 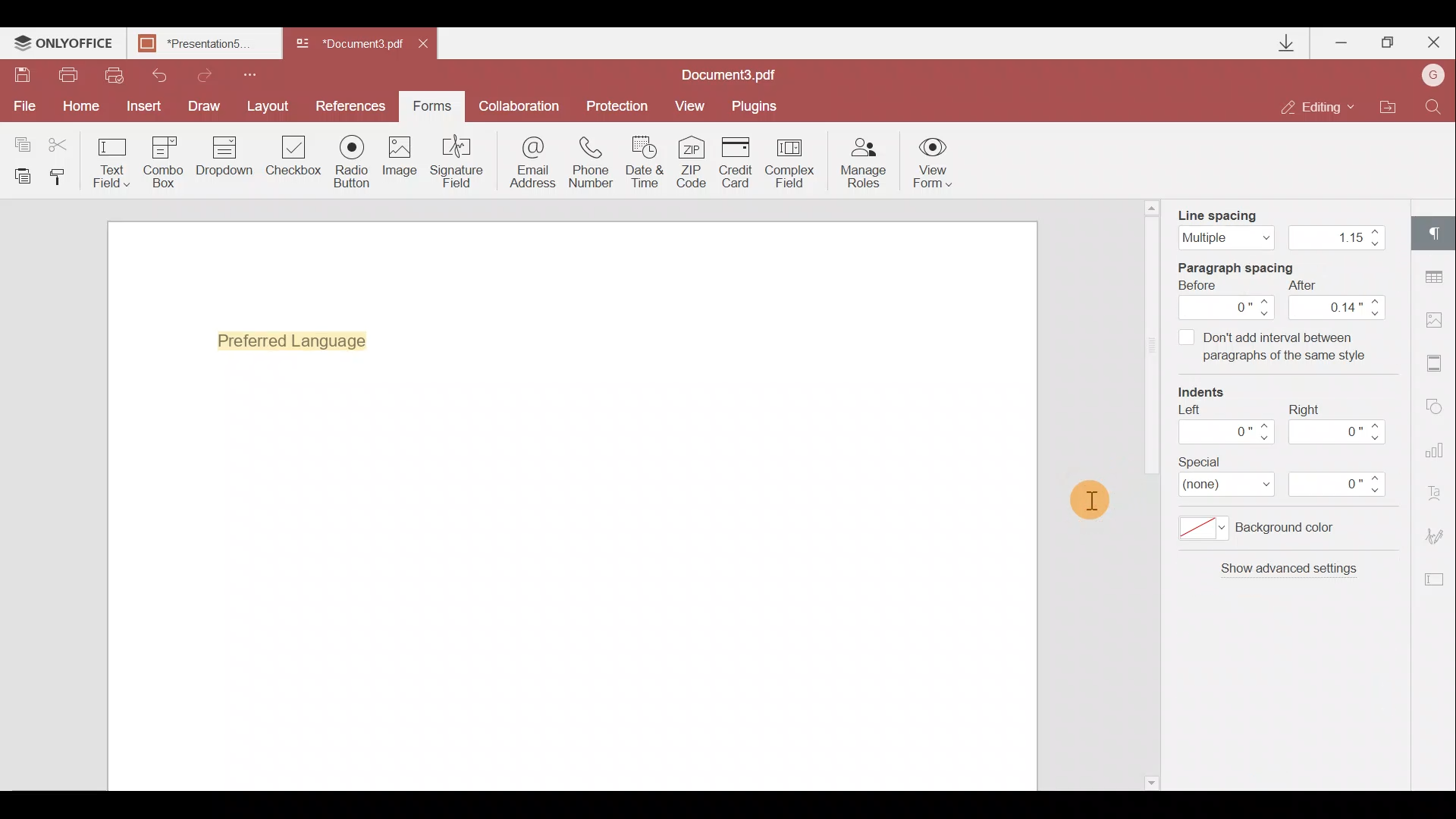 I want to click on File, so click(x=23, y=106).